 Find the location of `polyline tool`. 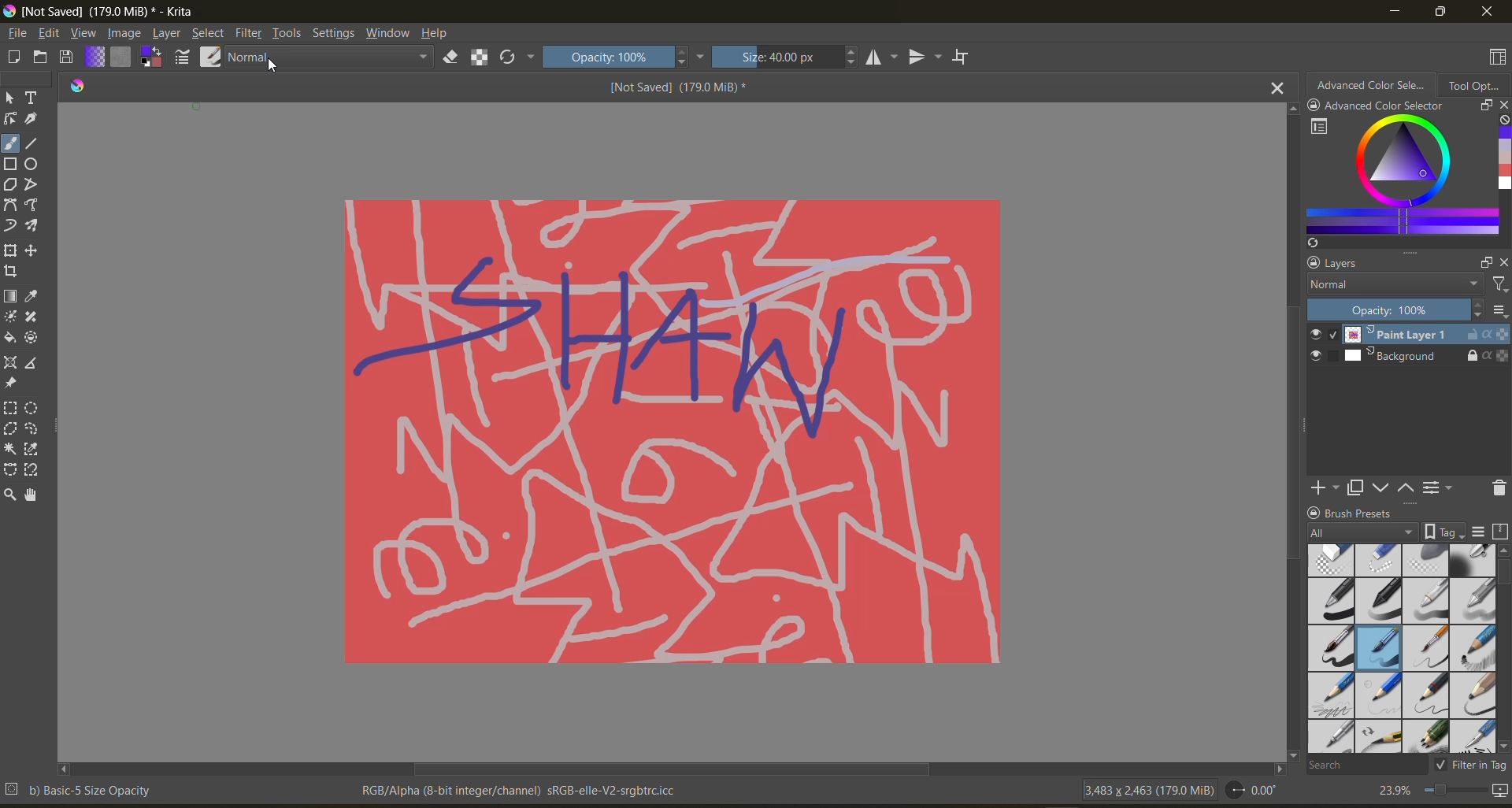

polyline tool is located at coordinates (32, 183).